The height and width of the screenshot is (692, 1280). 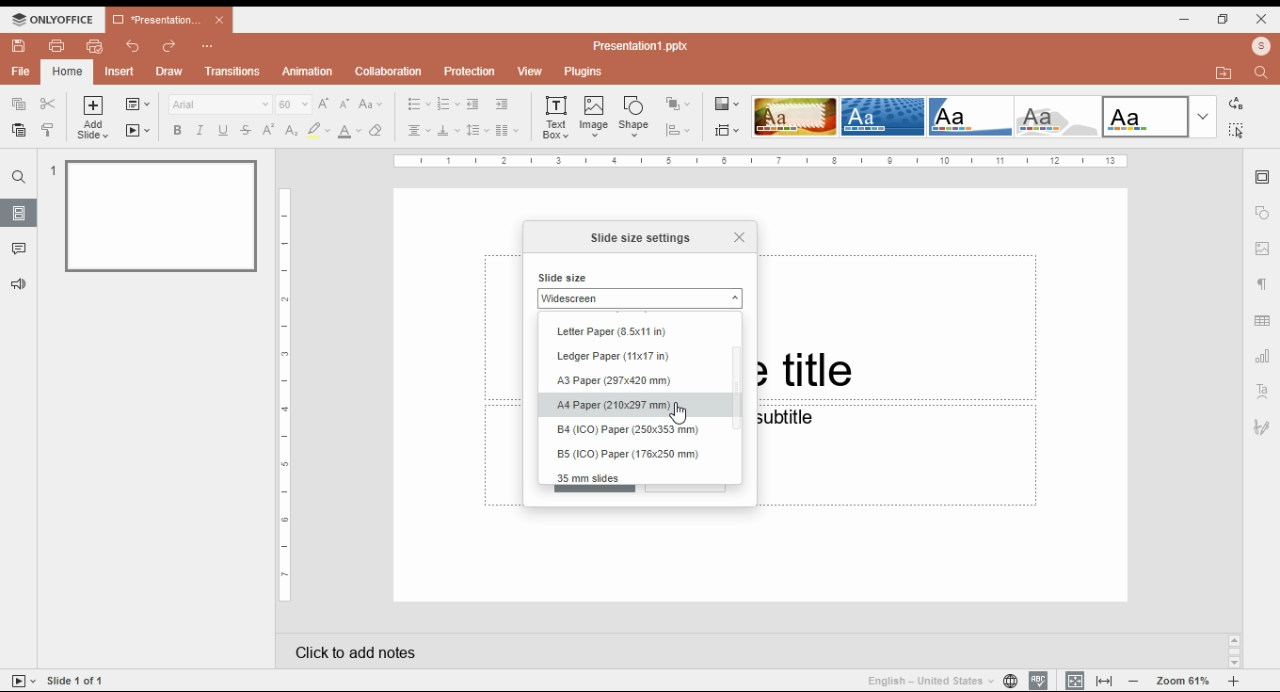 What do you see at coordinates (1227, 74) in the screenshot?
I see `open file location` at bounding box center [1227, 74].